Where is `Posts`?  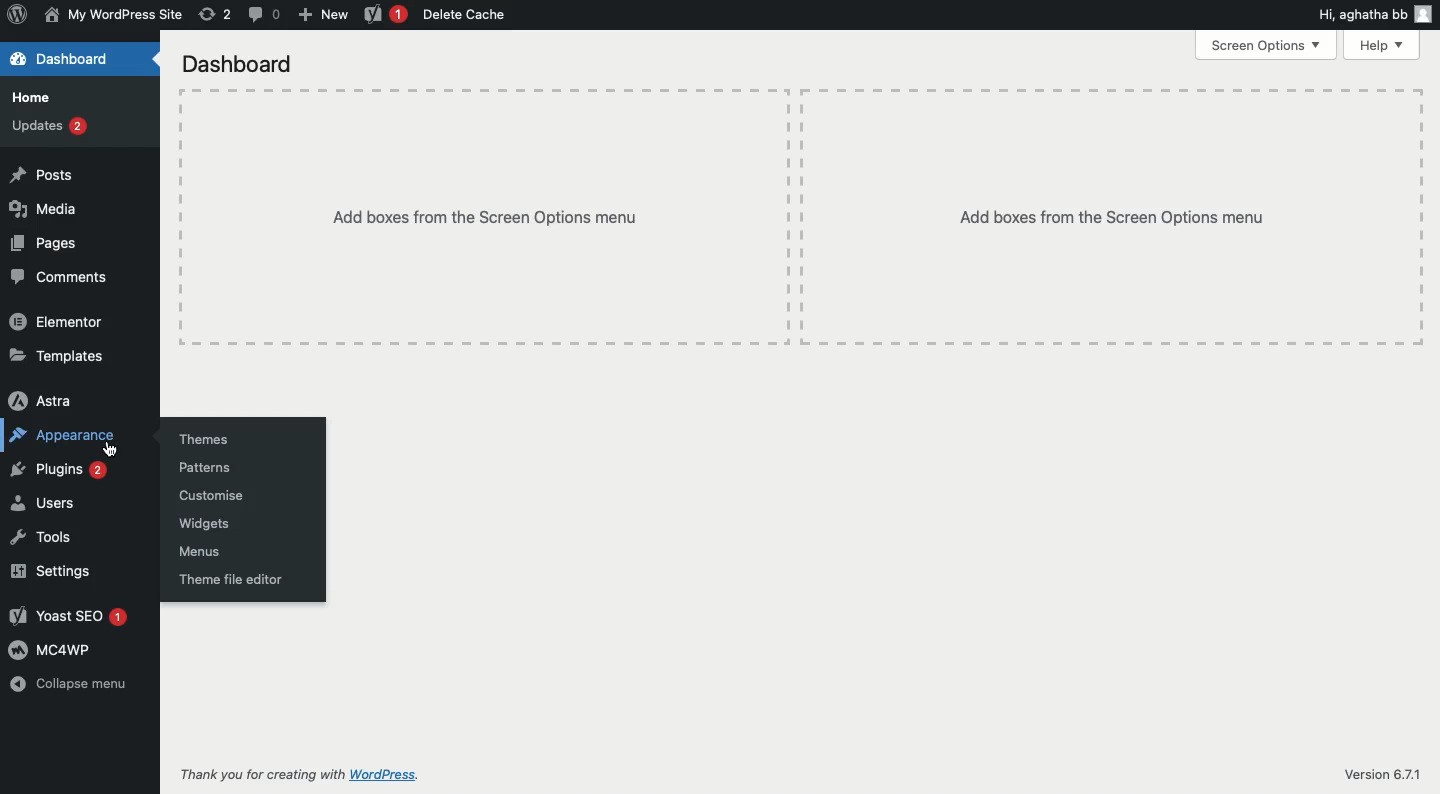 Posts is located at coordinates (40, 178).